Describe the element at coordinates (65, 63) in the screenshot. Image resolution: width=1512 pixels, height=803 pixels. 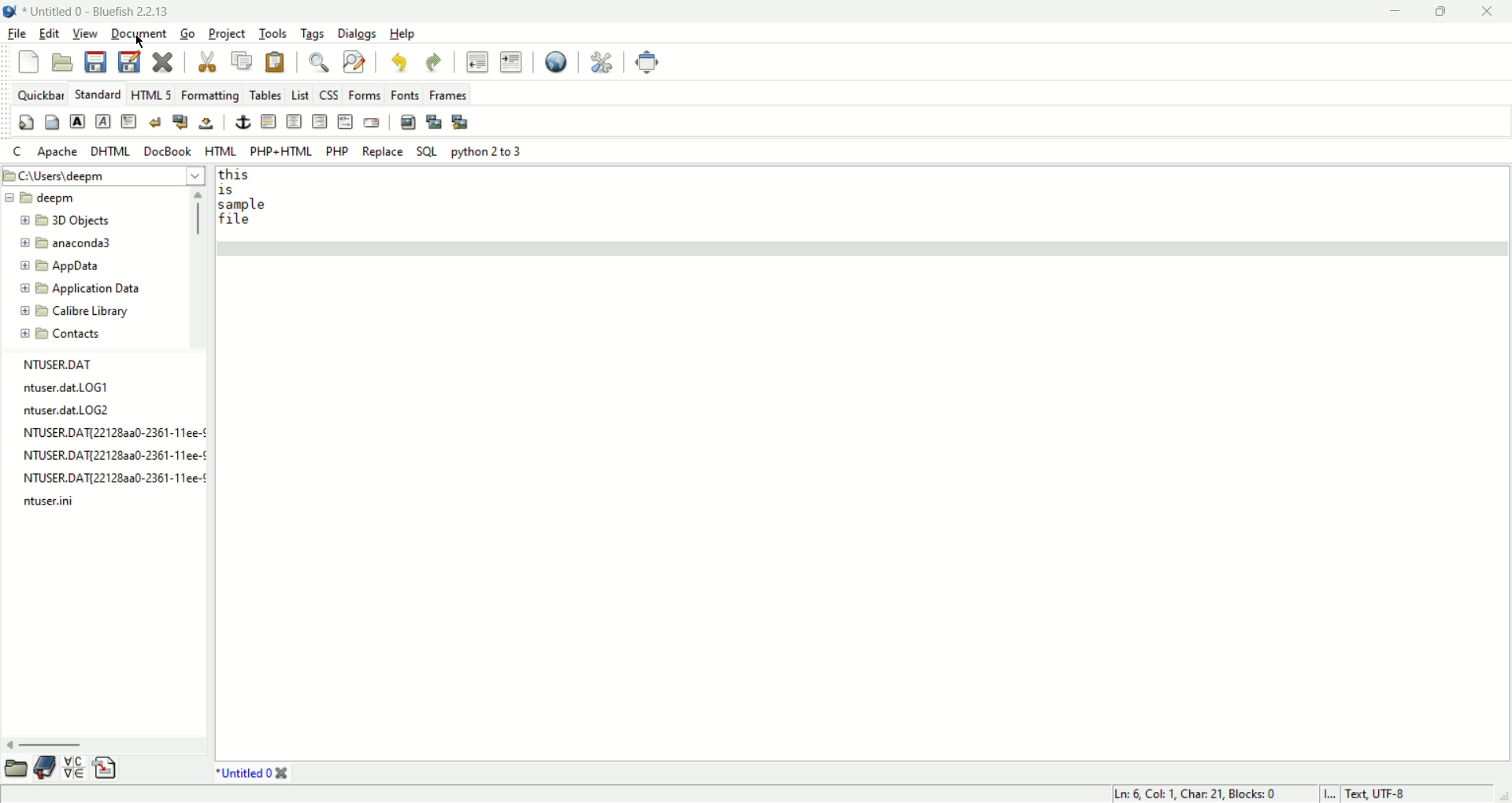
I see `open` at that location.